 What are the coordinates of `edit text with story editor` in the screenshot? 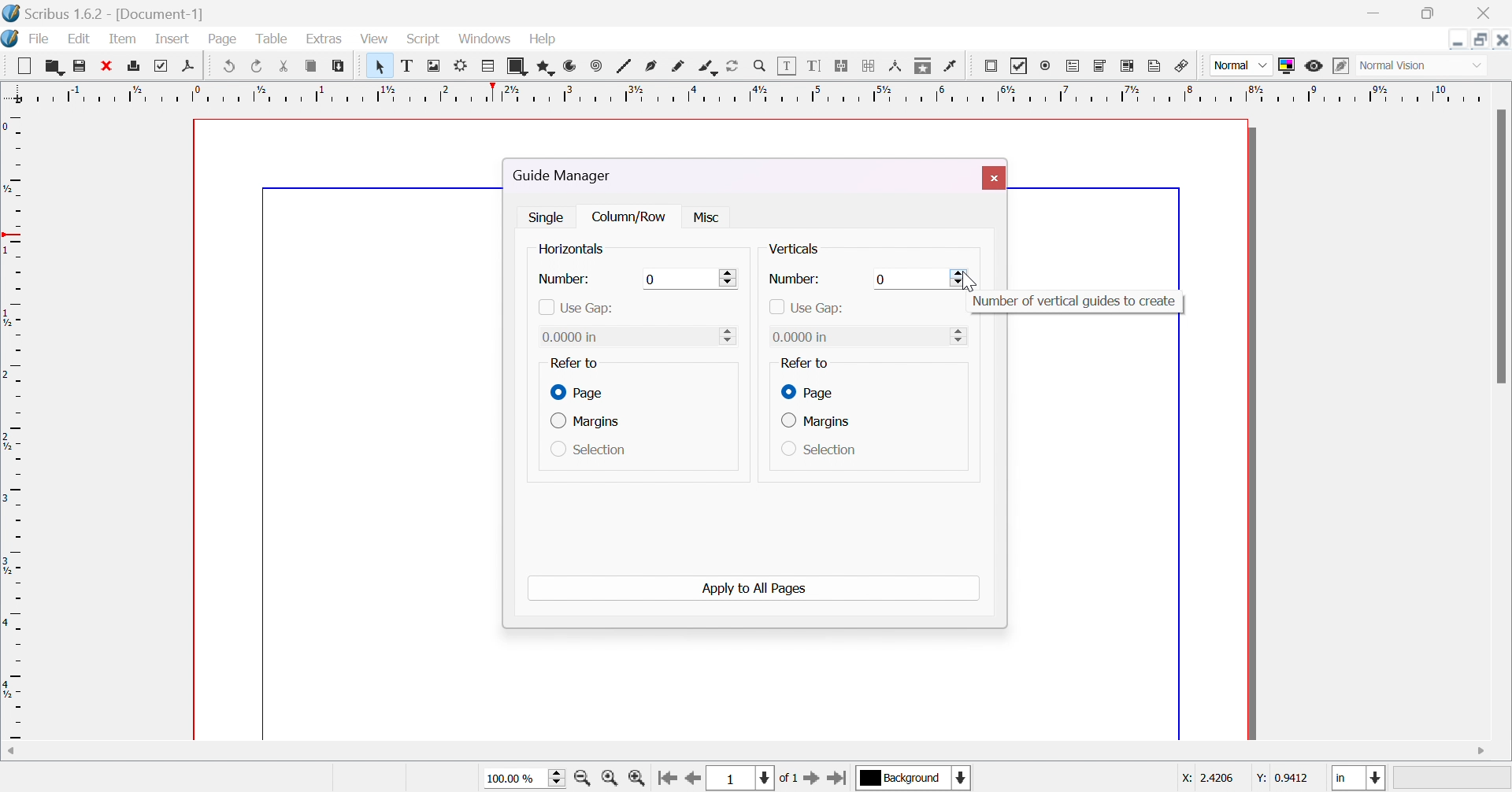 It's located at (817, 65).